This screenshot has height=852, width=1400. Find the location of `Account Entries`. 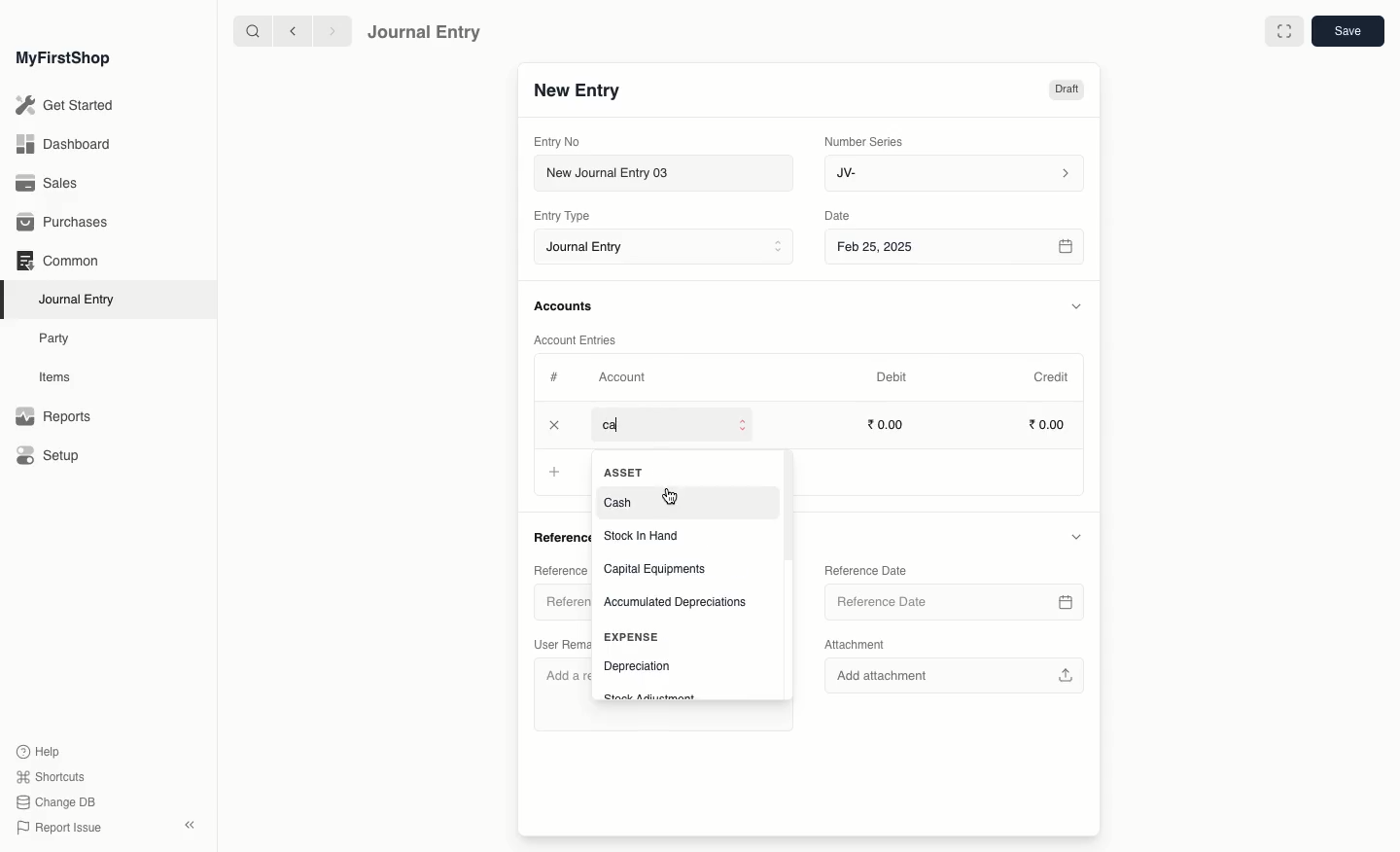

Account Entries is located at coordinates (582, 340).